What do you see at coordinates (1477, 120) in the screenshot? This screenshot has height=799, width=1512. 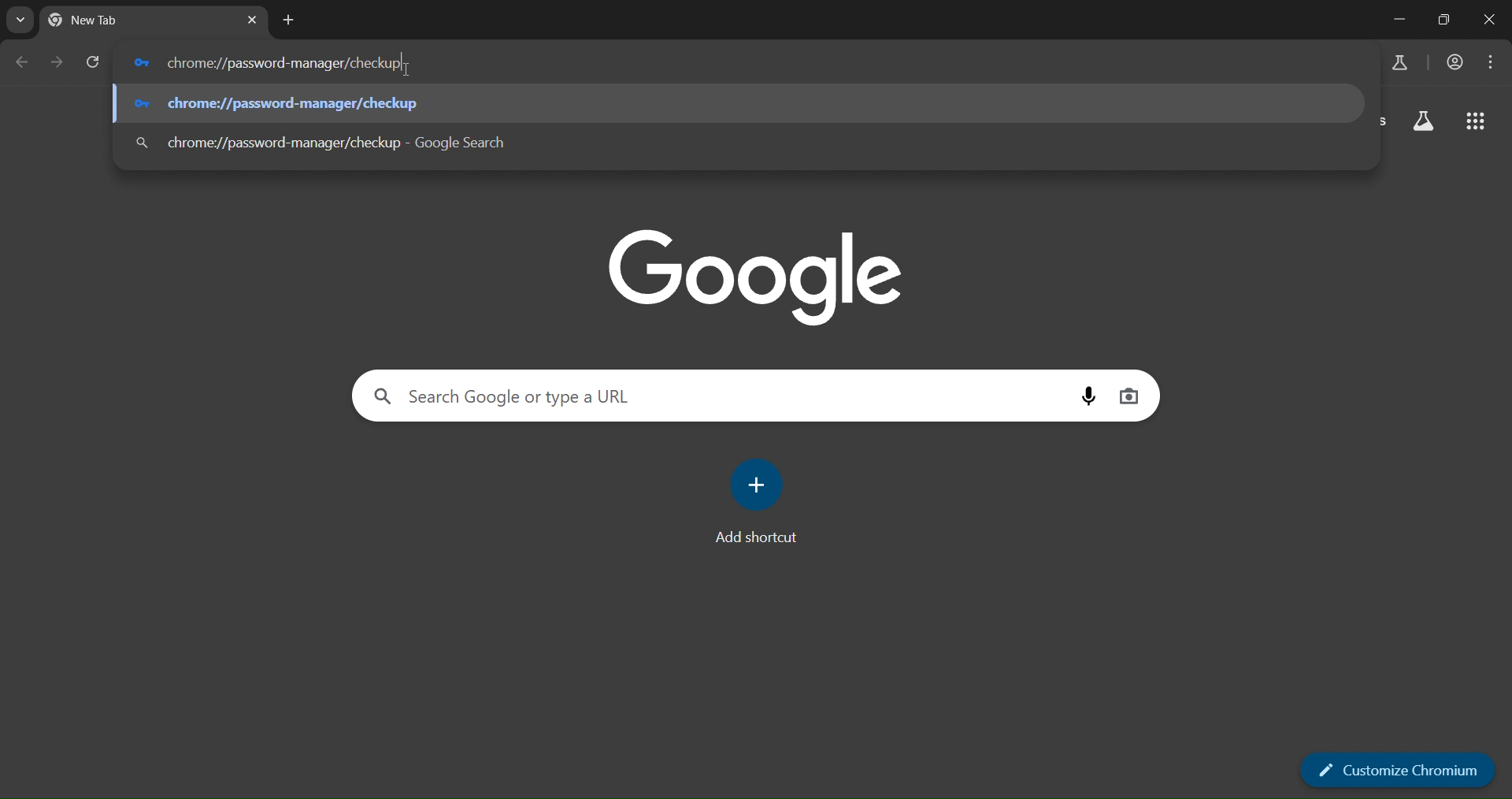 I see `google apps` at bounding box center [1477, 120].